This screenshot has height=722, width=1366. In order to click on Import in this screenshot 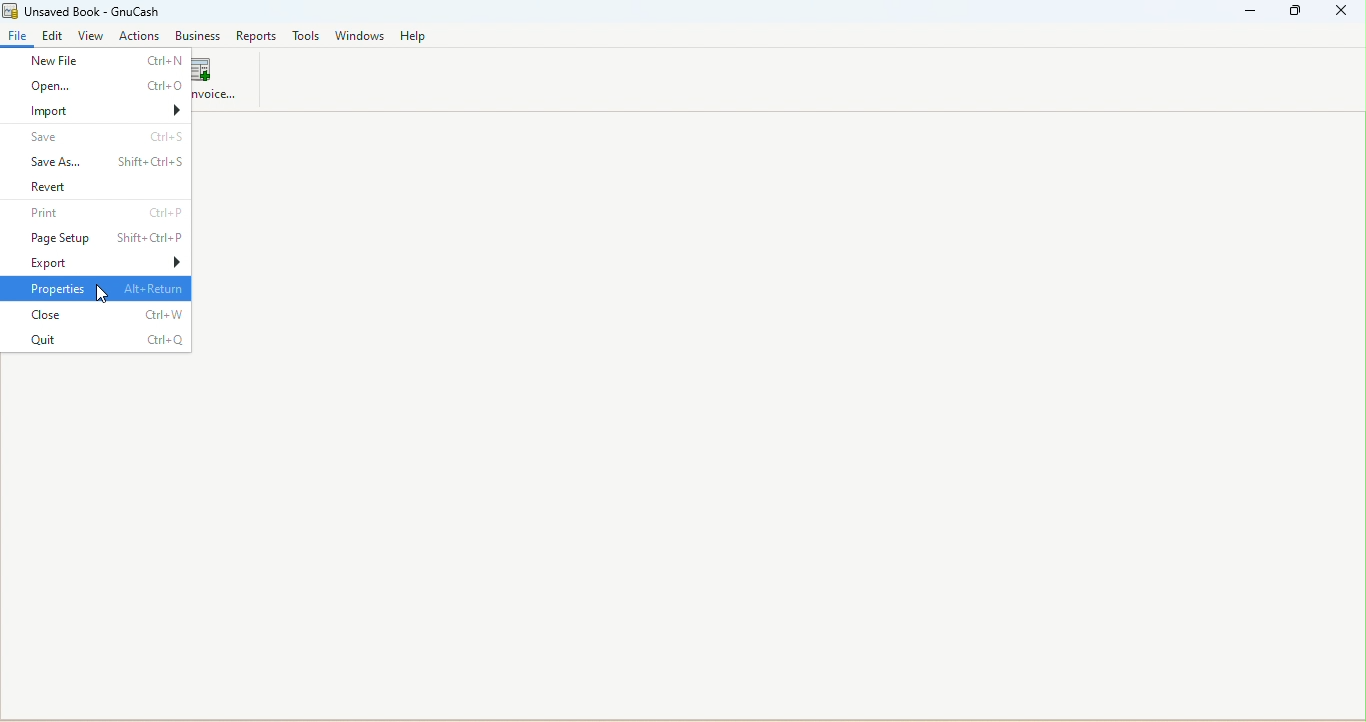, I will do `click(95, 110)`.